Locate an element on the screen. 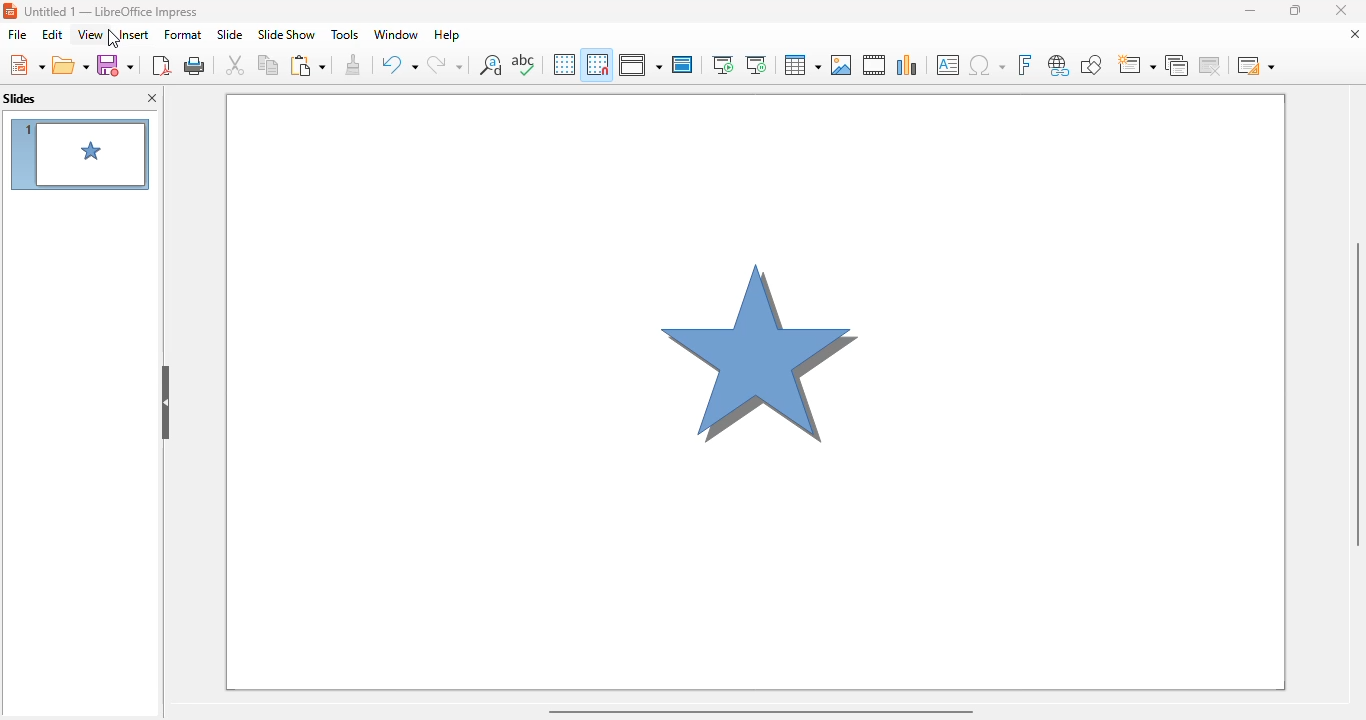 The image size is (1366, 720). print is located at coordinates (195, 64).